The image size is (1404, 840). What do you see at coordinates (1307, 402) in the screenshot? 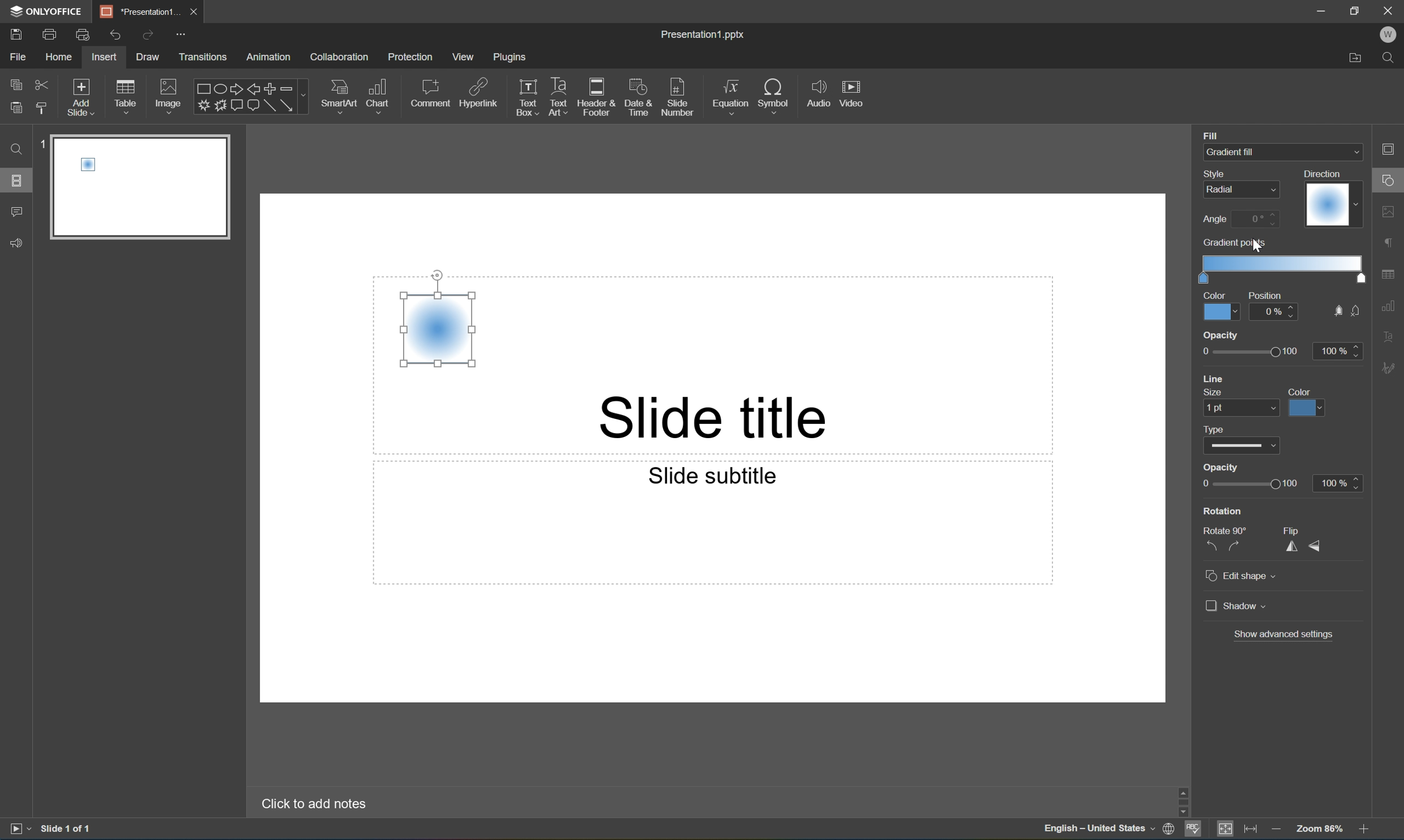
I see `color` at bounding box center [1307, 402].